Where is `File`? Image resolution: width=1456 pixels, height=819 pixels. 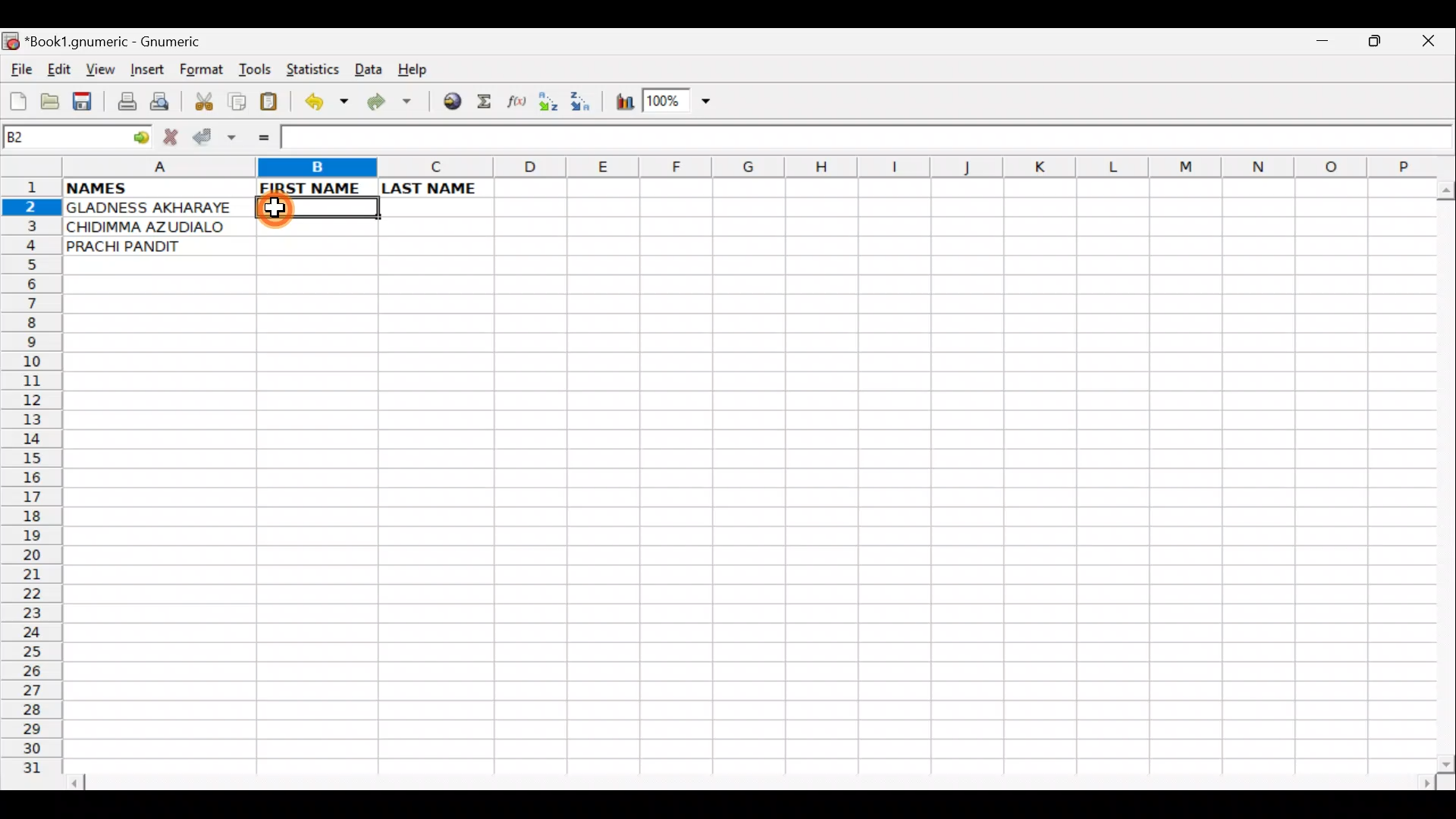 File is located at coordinates (20, 71).